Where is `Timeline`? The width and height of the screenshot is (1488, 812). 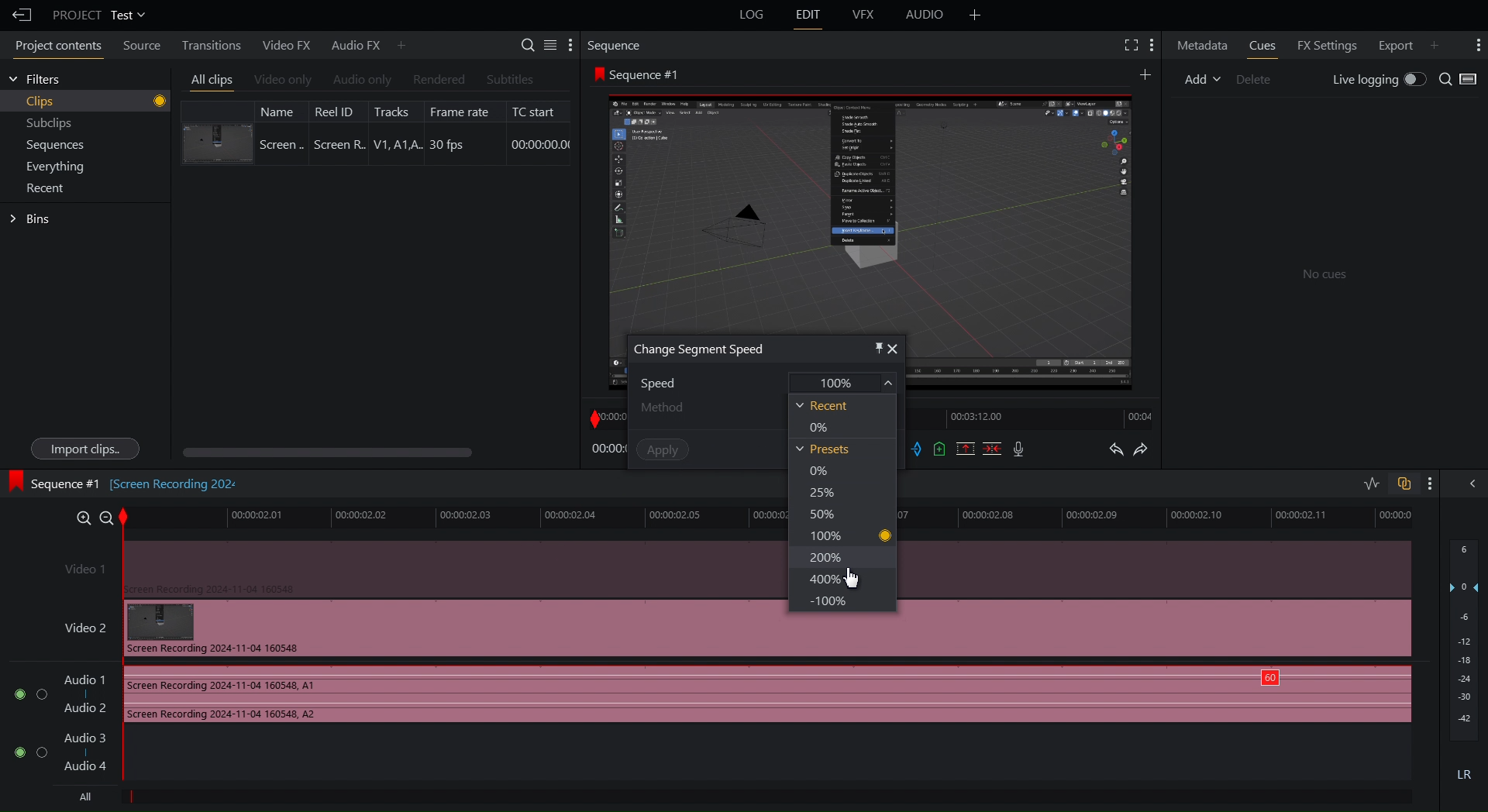 Timeline is located at coordinates (1037, 419).